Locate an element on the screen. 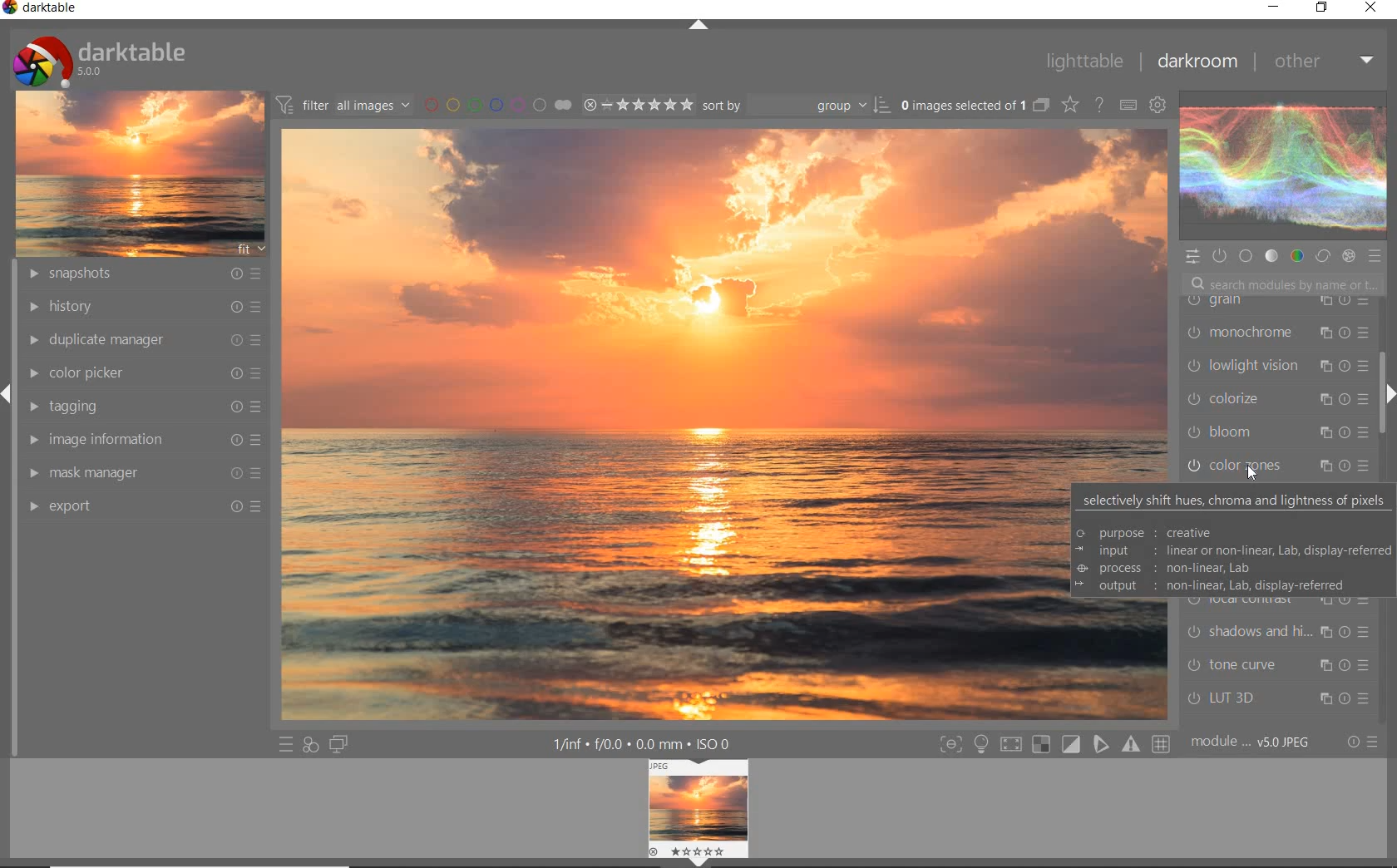 The width and height of the screenshot is (1397, 868). shadows is located at coordinates (1277, 634).